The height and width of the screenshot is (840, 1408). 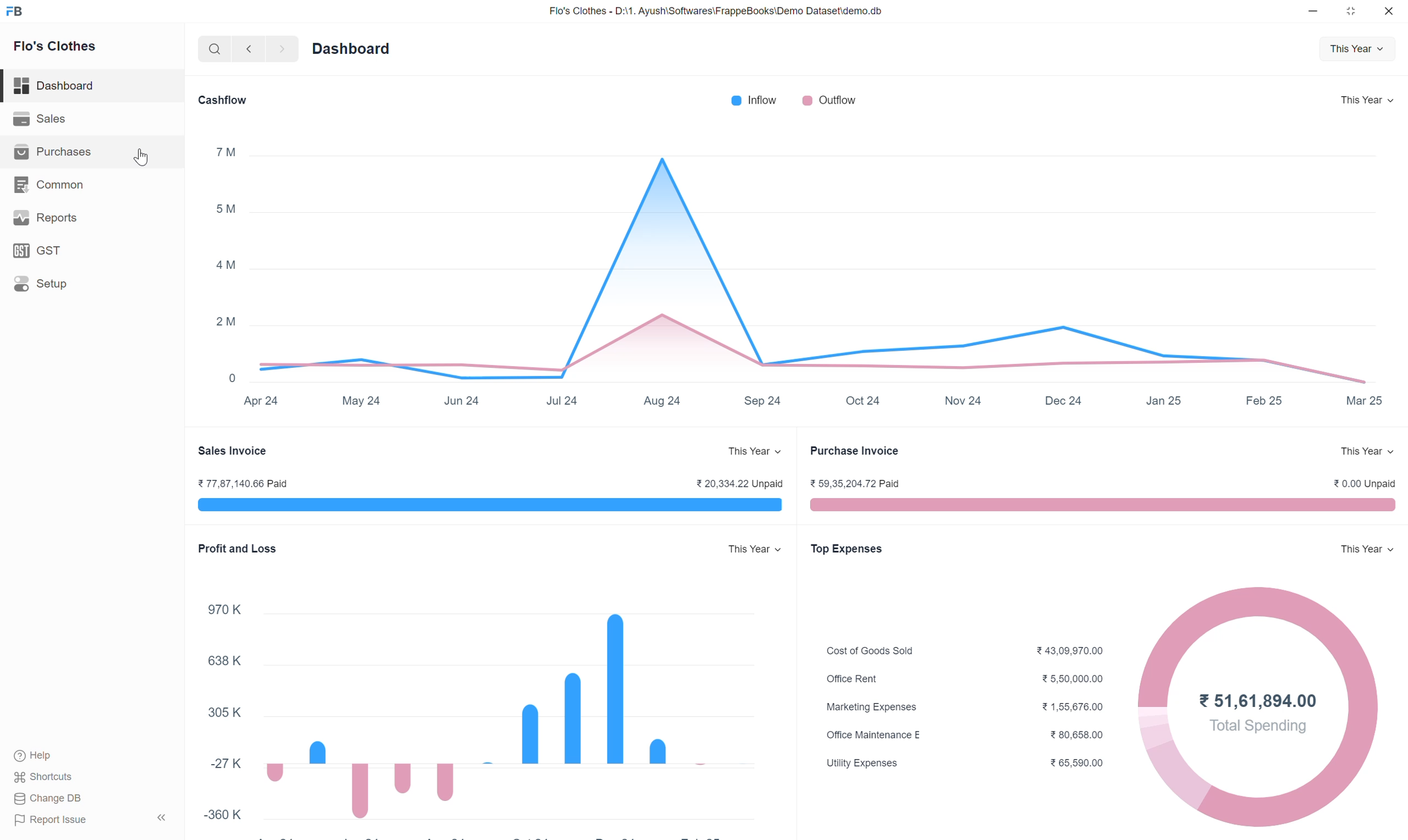 I want to click on go to previous section , so click(x=250, y=49).